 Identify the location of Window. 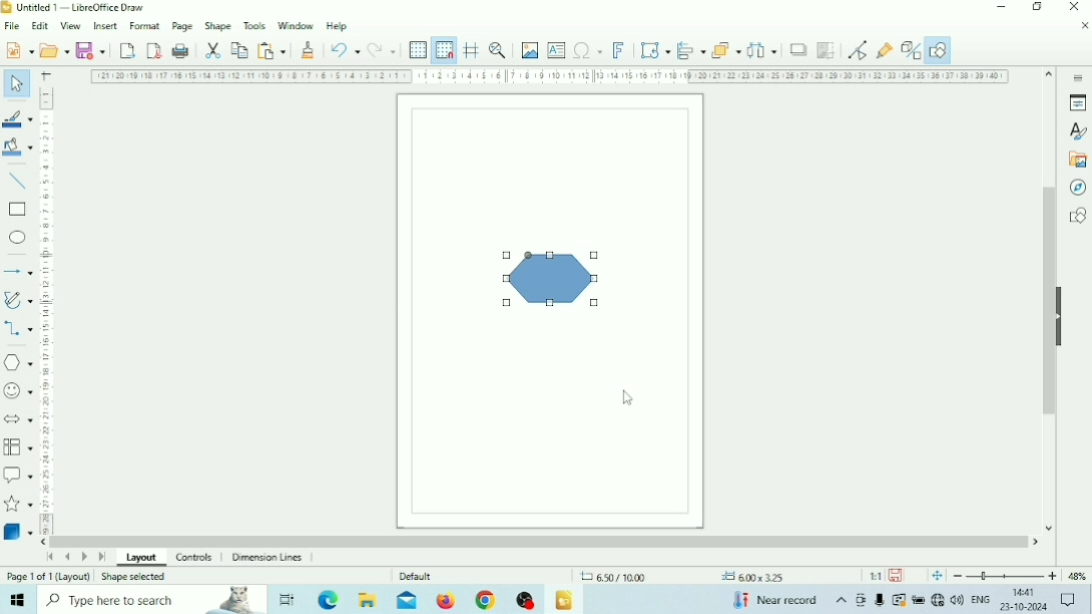
(296, 25).